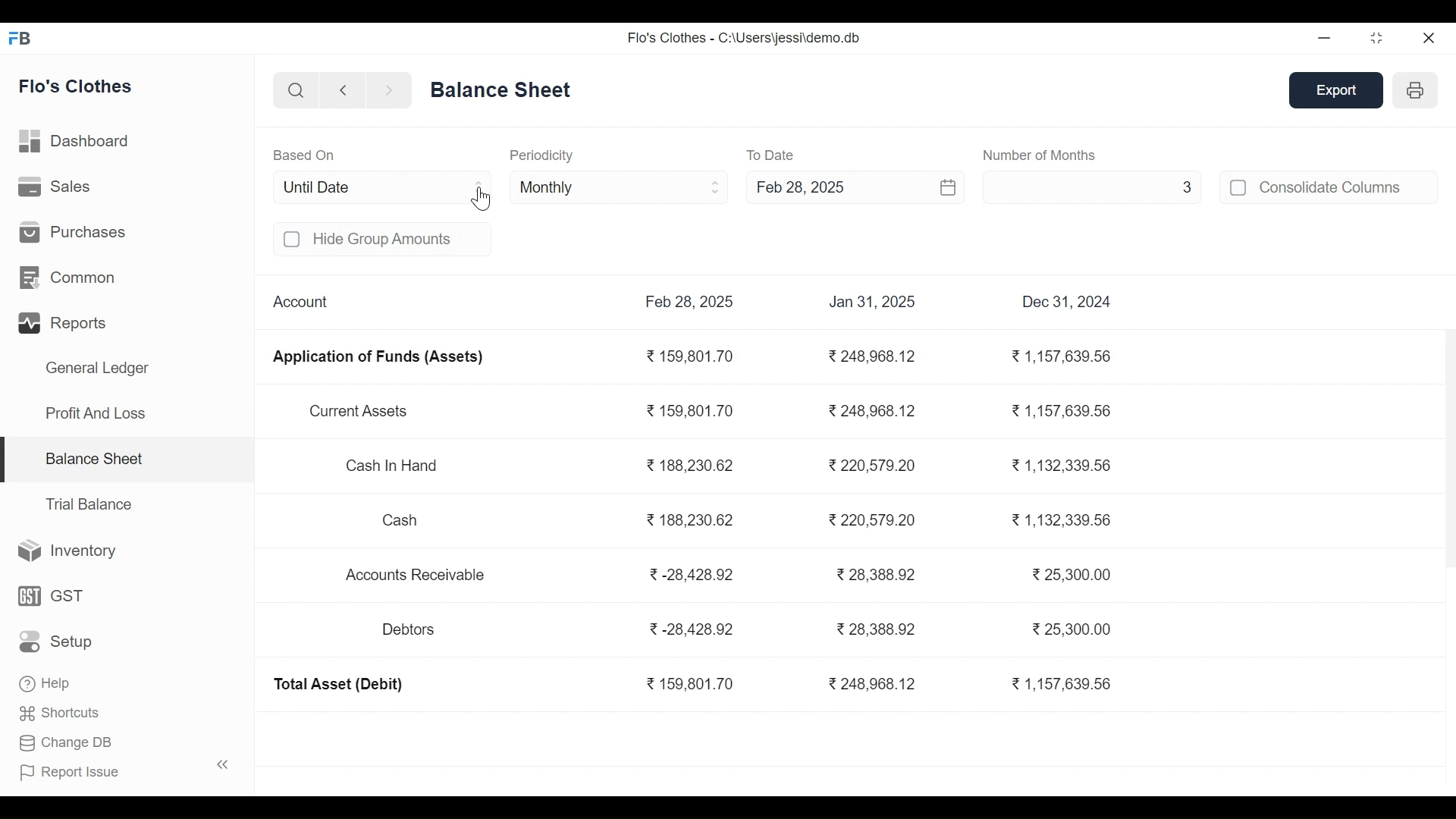  What do you see at coordinates (303, 303) in the screenshot?
I see `Account` at bounding box center [303, 303].